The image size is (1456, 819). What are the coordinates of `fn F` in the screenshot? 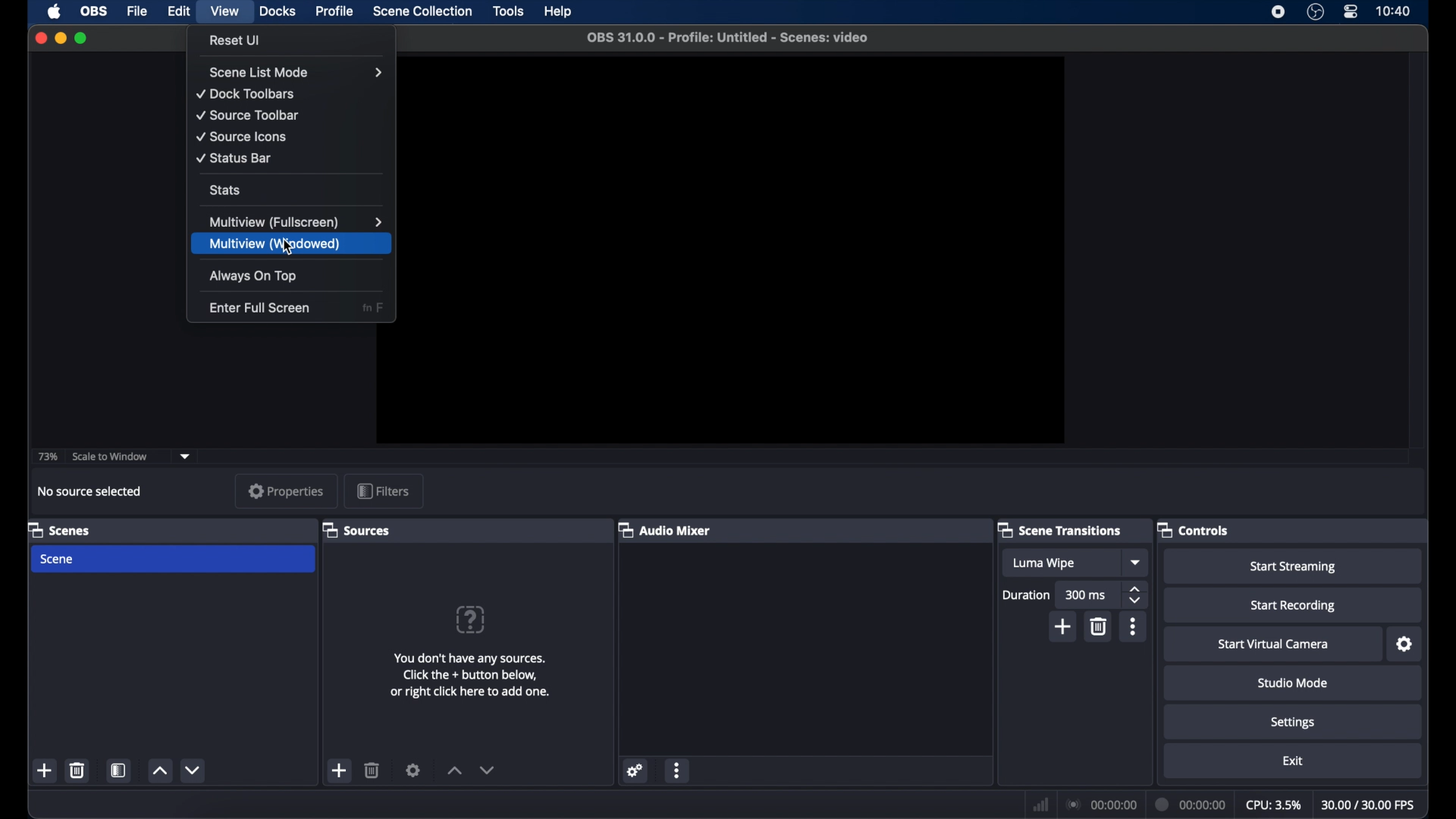 It's located at (372, 309).